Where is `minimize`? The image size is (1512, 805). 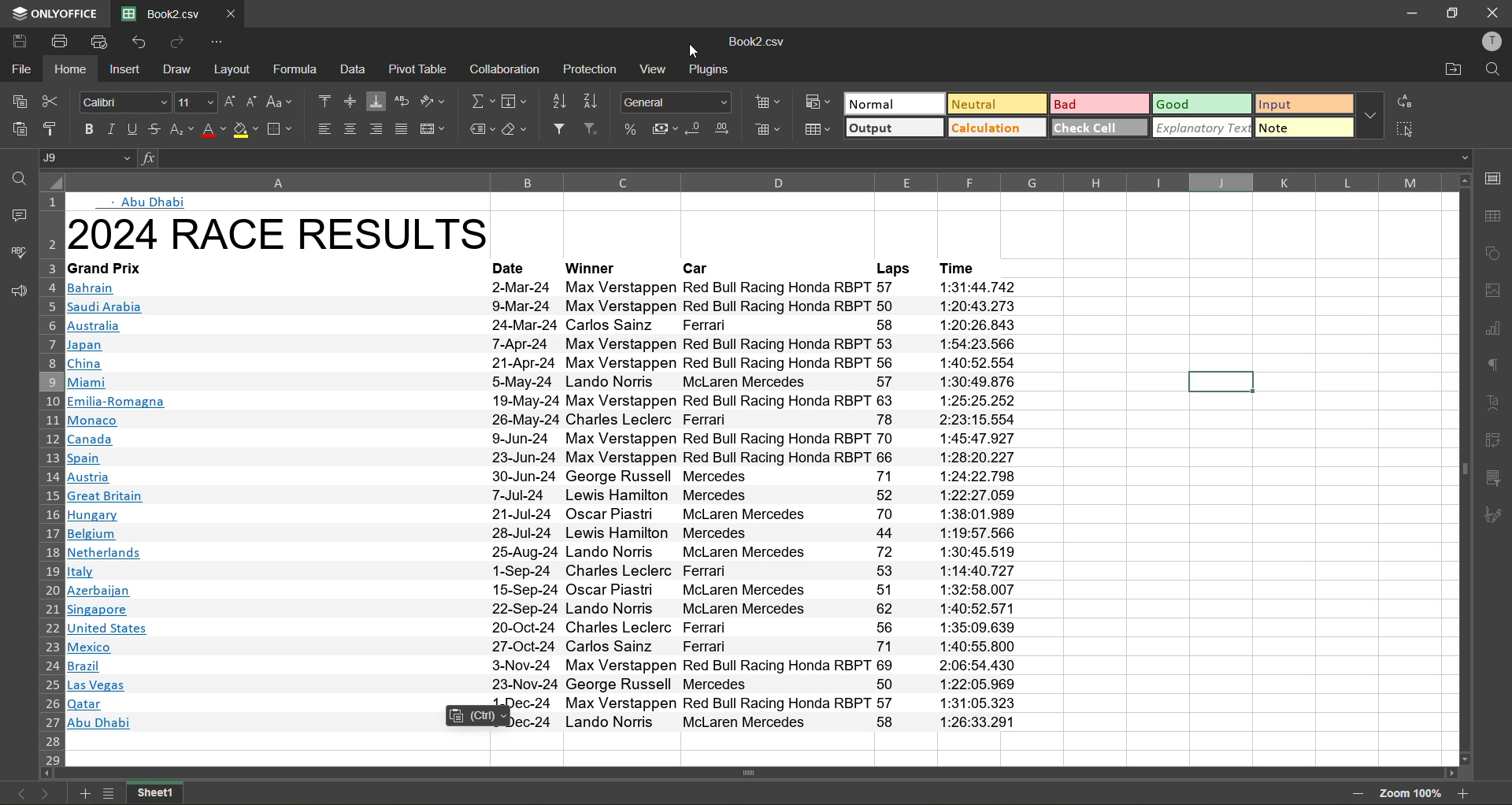
minimize is located at coordinates (1411, 14).